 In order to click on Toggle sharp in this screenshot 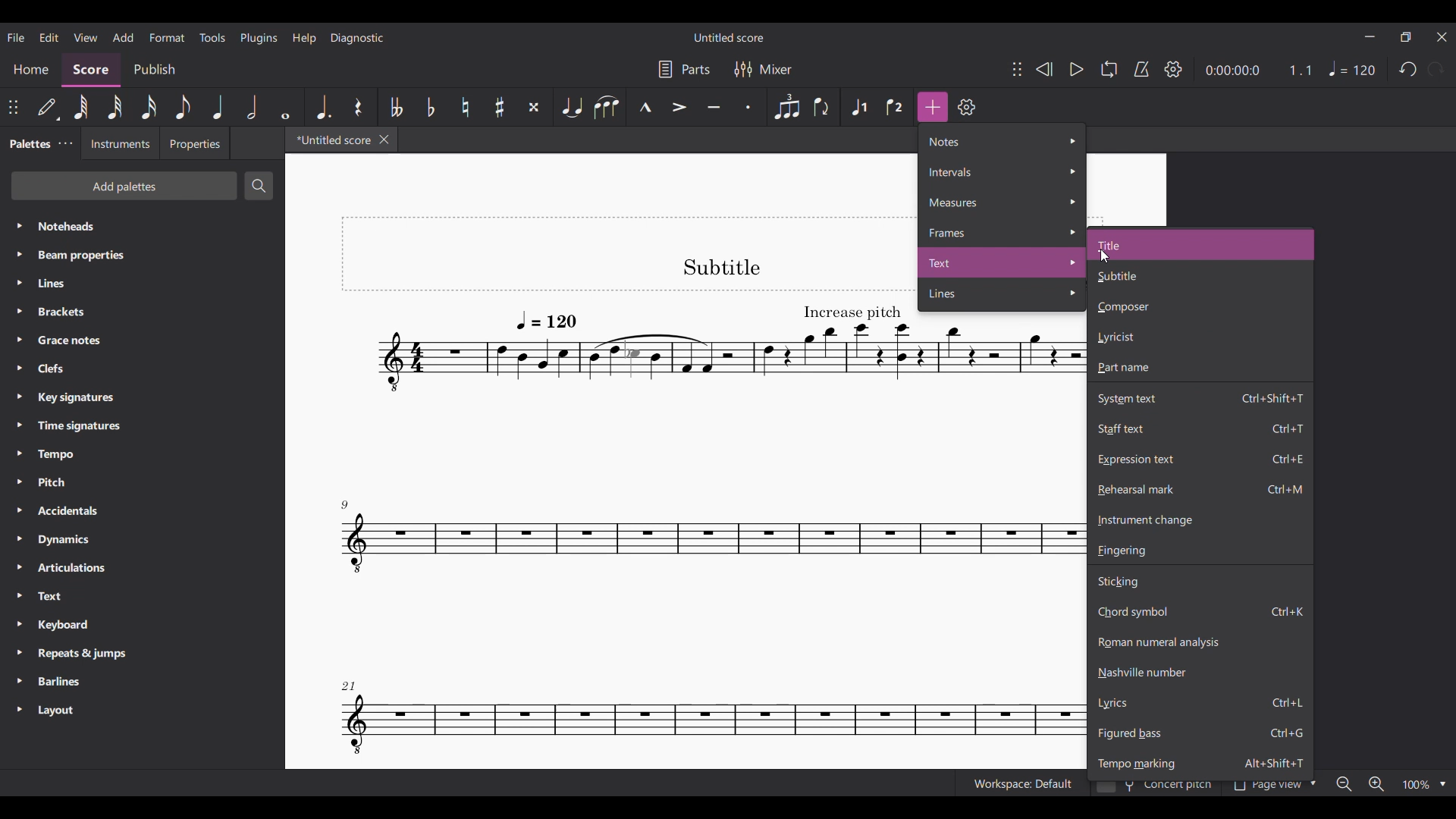, I will do `click(500, 106)`.